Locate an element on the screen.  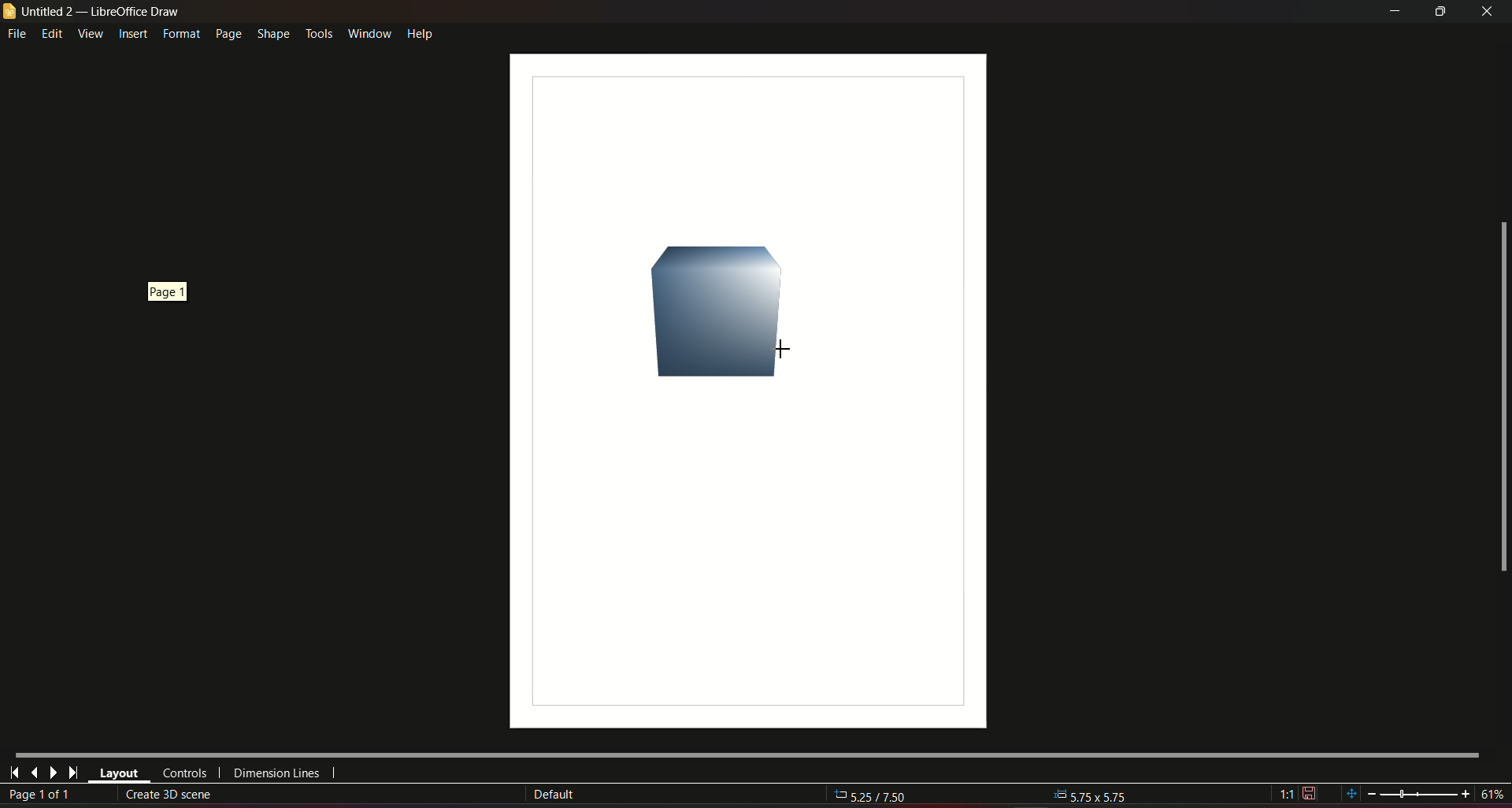
page 1 is located at coordinates (169, 295).